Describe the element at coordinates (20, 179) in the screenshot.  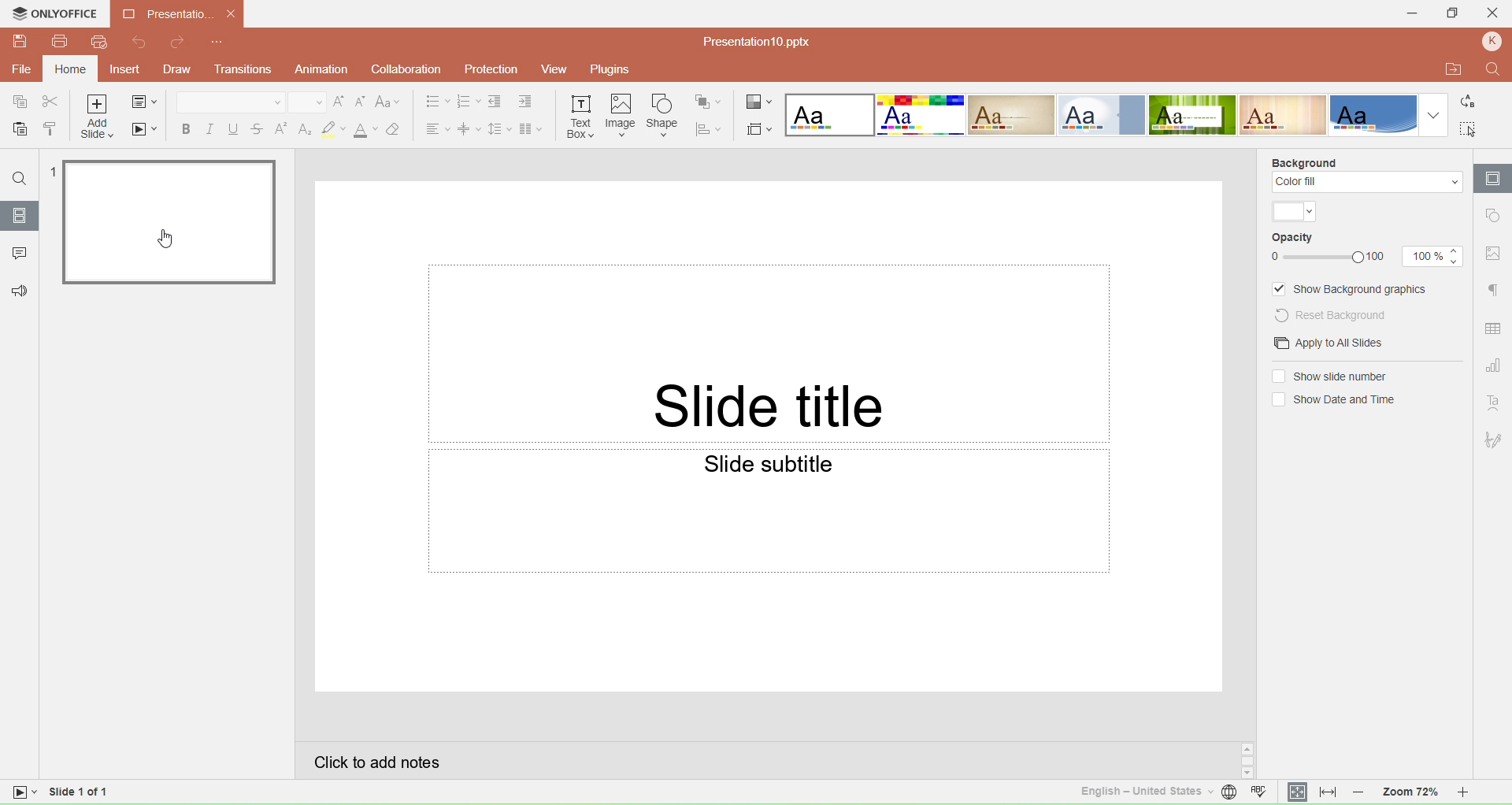
I see `Find` at that location.